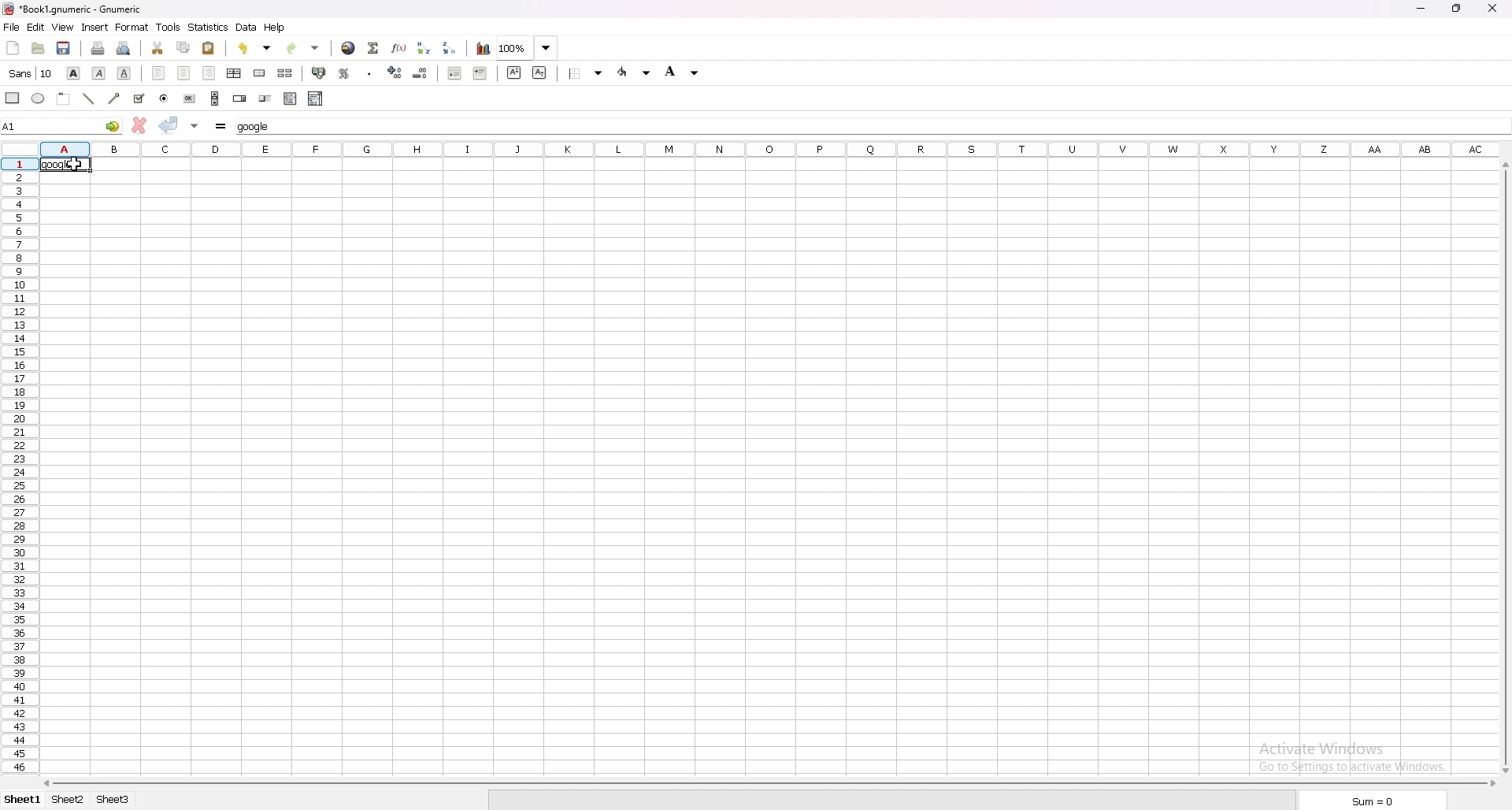 This screenshot has height=810, width=1512. What do you see at coordinates (94, 28) in the screenshot?
I see `insert` at bounding box center [94, 28].